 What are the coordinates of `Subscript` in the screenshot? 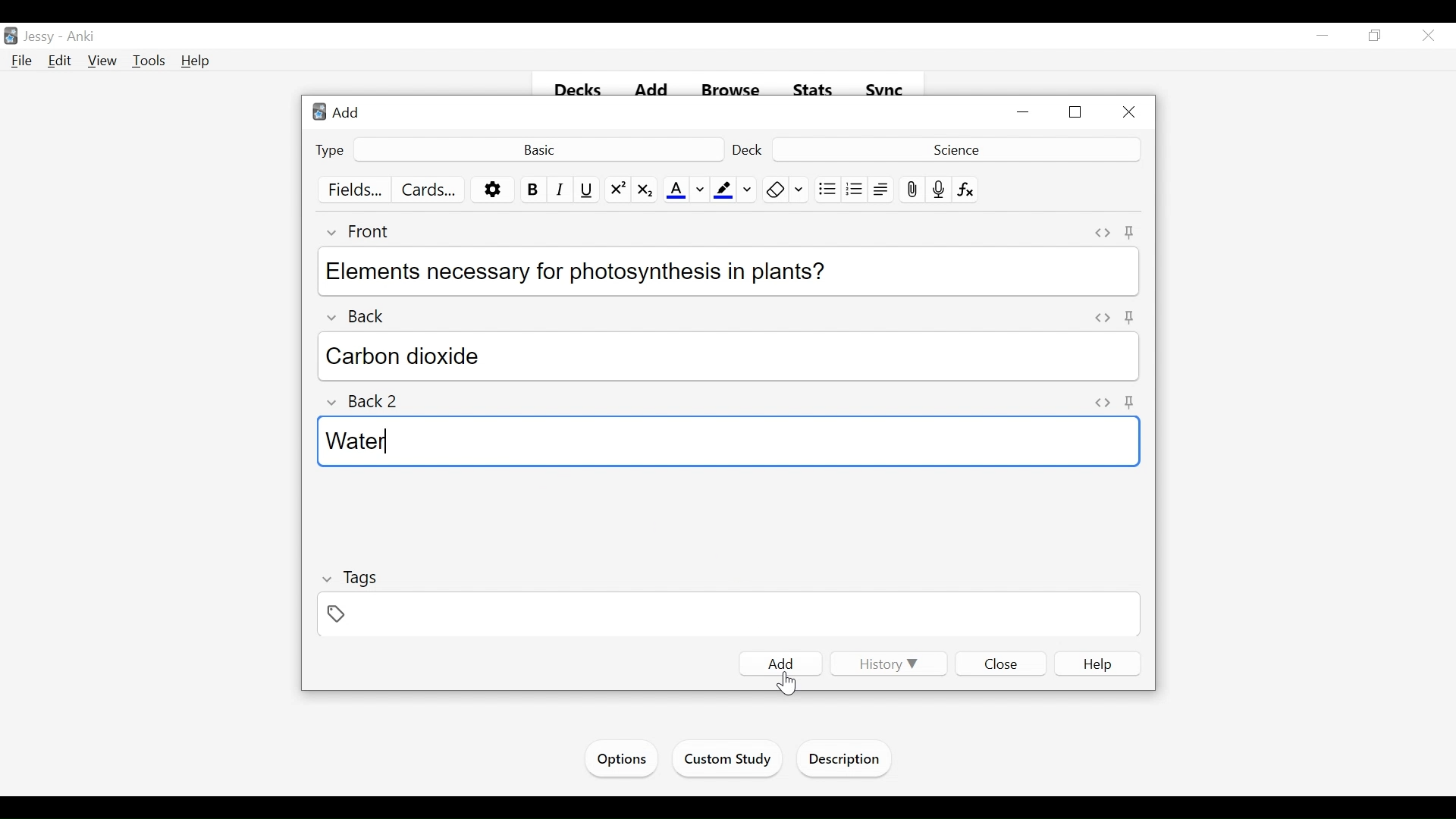 It's located at (644, 190).